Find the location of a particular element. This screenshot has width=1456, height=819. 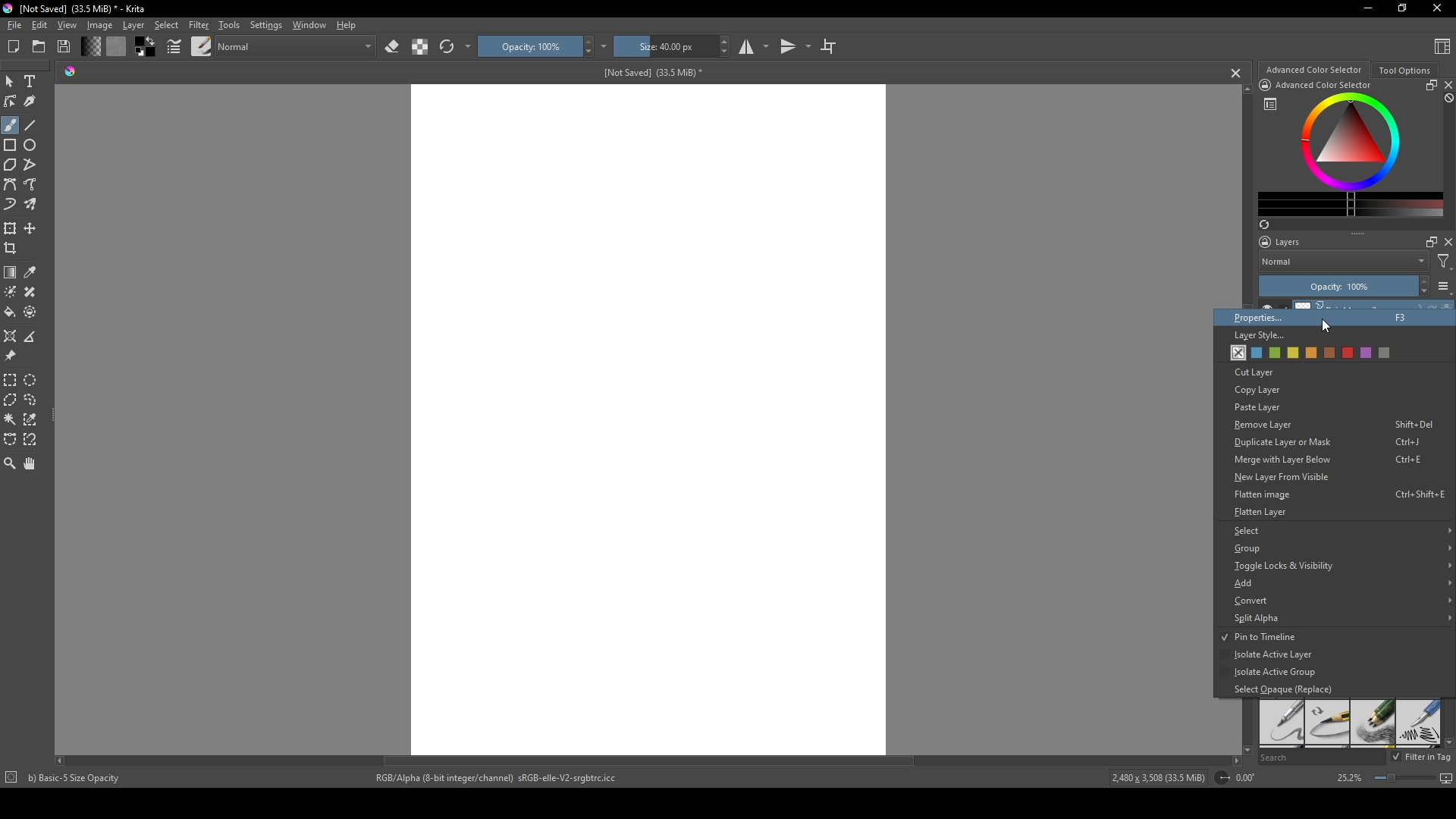

blue is located at coordinates (1253, 353).